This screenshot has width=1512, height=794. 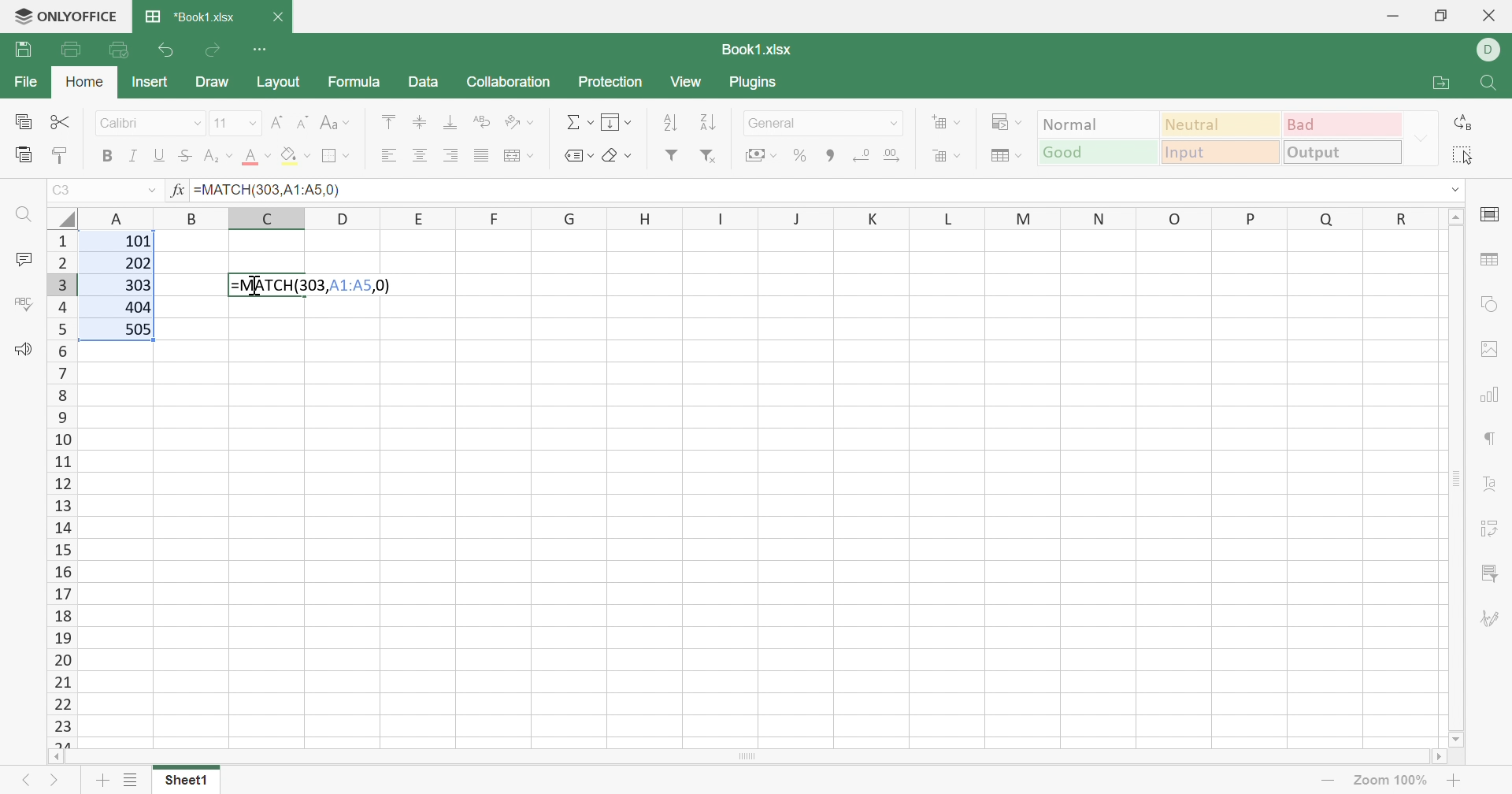 I want to click on Restore Down, so click(x=1440, y=17).